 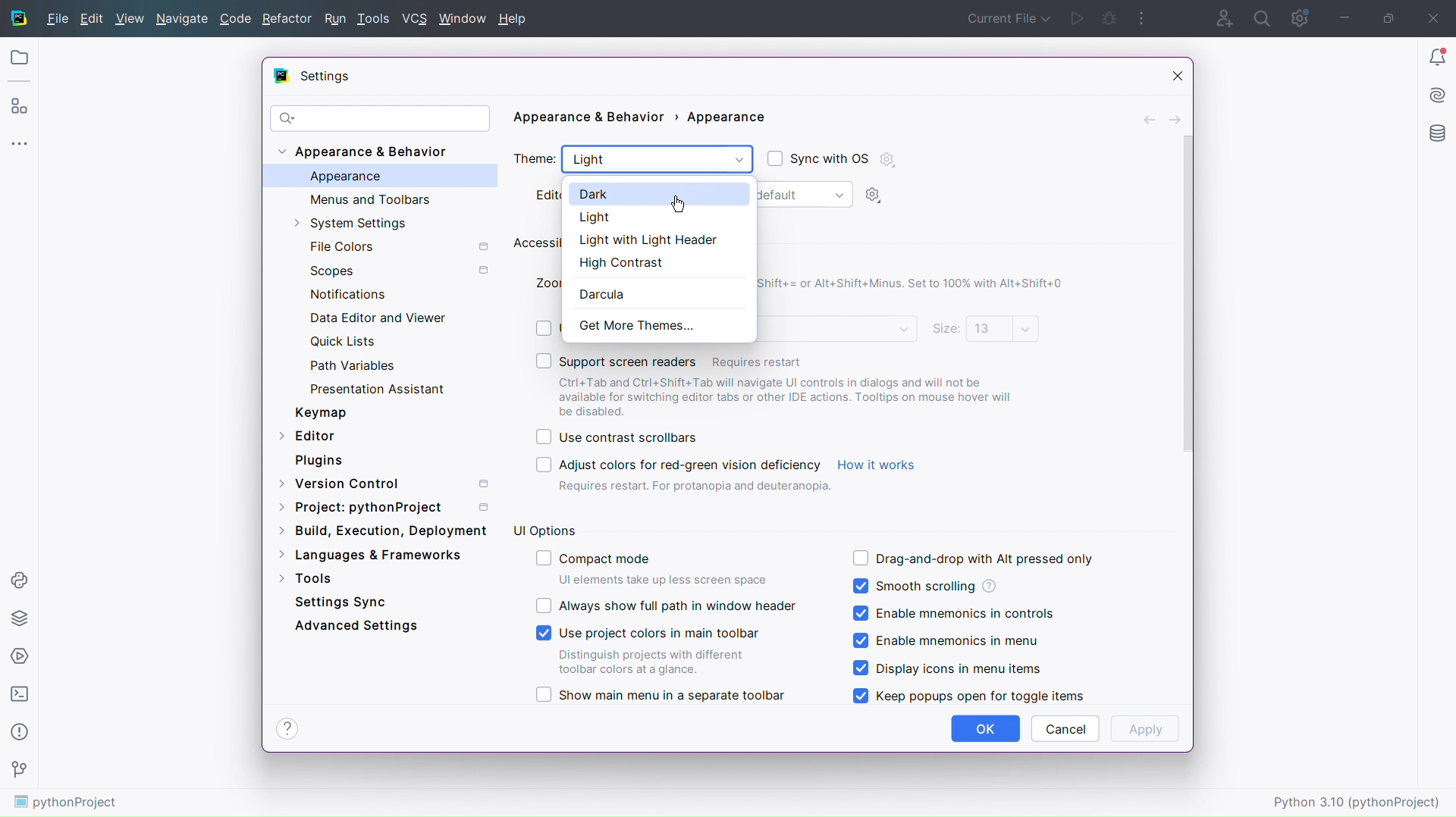 I want to click on Check Bugs, so click(x=1110, y=17).